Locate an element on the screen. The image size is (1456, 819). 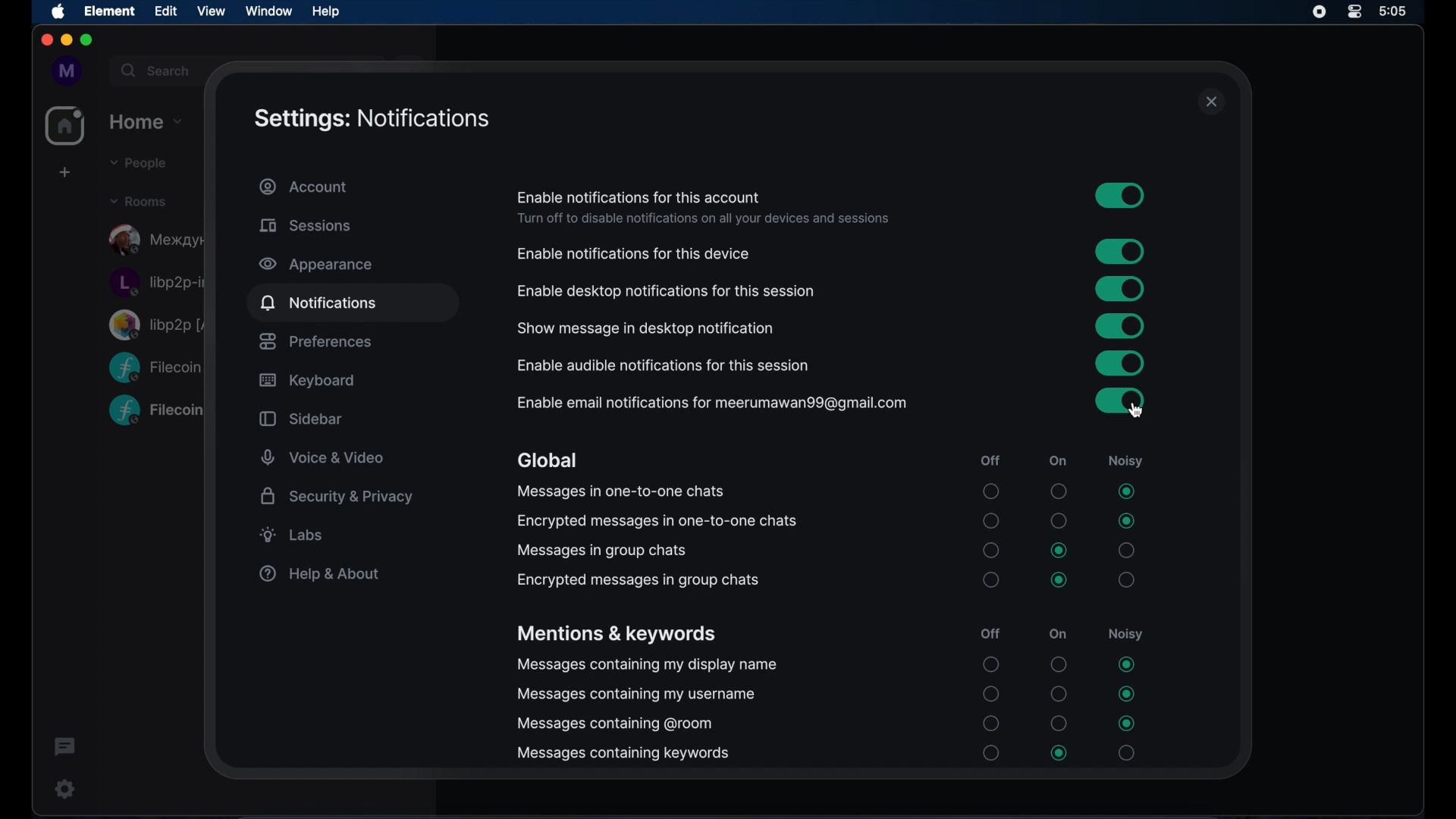
messages containing my display name is located at coordinates (647, 666).